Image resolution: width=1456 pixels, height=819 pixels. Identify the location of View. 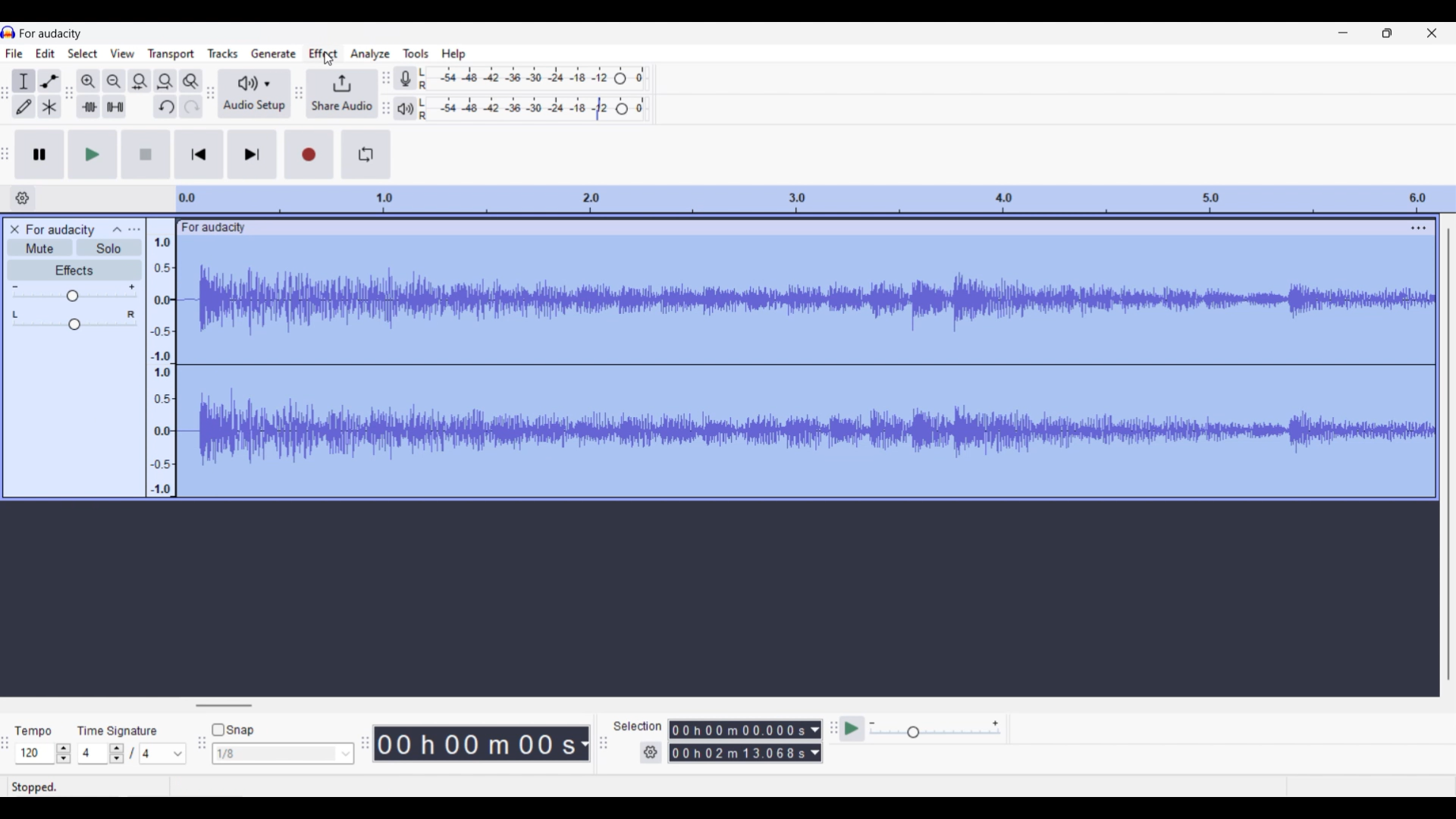
(122, 53).